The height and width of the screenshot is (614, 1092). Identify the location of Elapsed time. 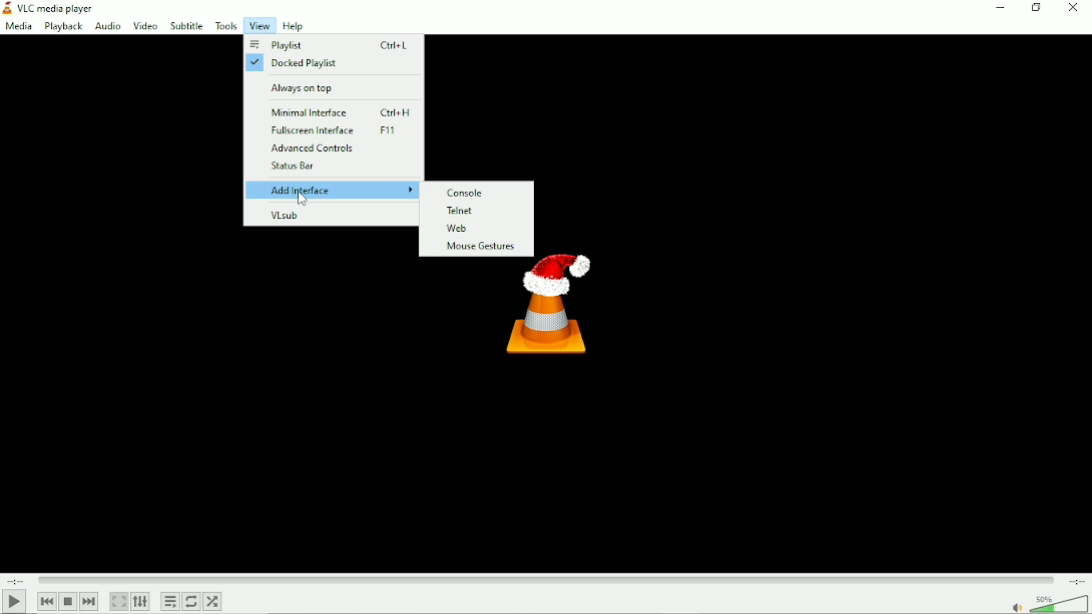
(16, 580).